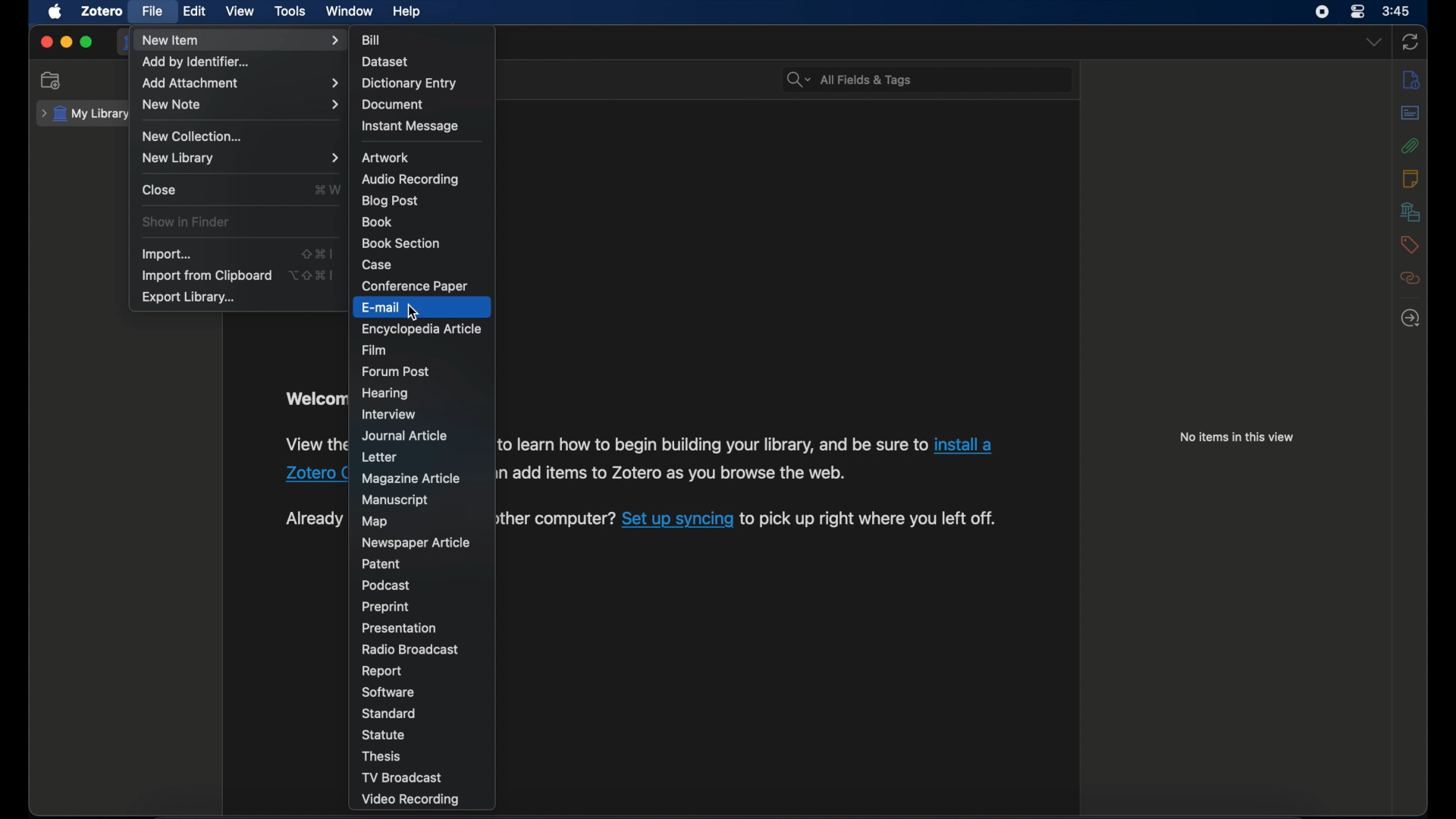  What do you see at coordinates (185, 222) in the screenshot?
I see `show in finder` at bounding box center [185, 222].